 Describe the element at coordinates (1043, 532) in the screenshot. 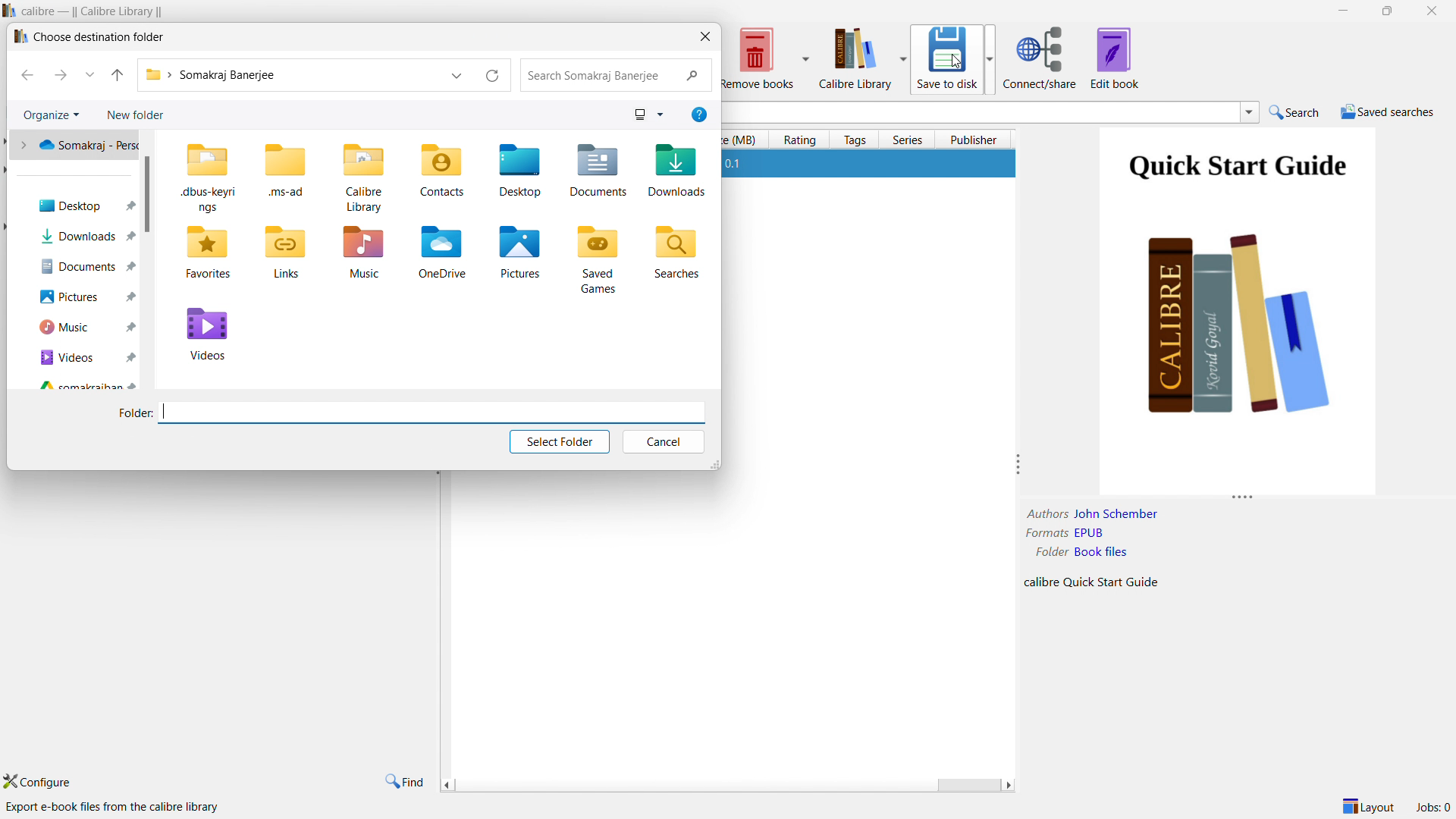

I see `Formats` at that location.